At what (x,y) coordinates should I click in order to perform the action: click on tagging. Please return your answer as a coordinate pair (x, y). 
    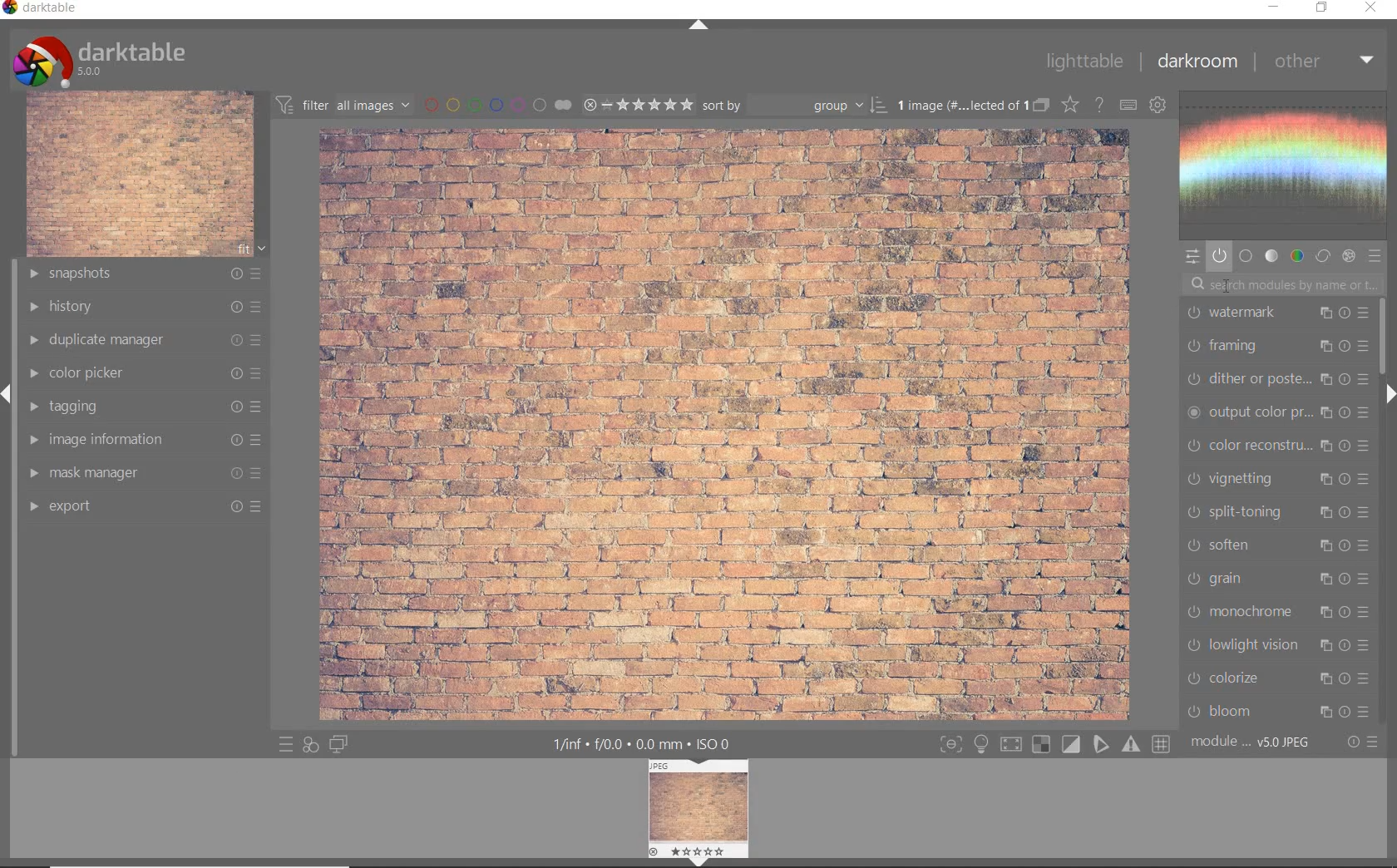
    Looking at the image, I should click on (147, 407).